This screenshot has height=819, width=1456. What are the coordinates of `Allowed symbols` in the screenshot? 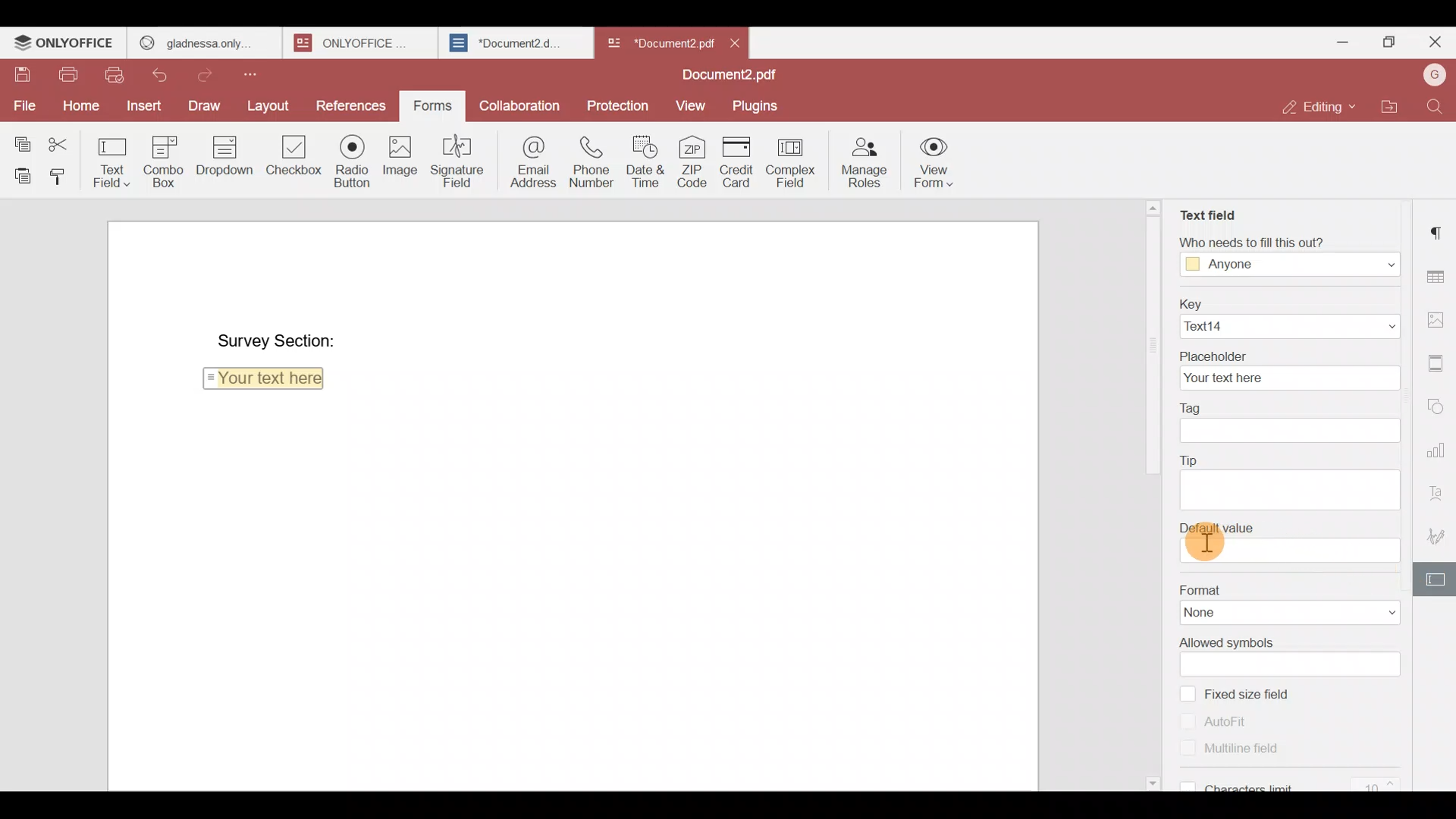 It's located at (1282, 641).